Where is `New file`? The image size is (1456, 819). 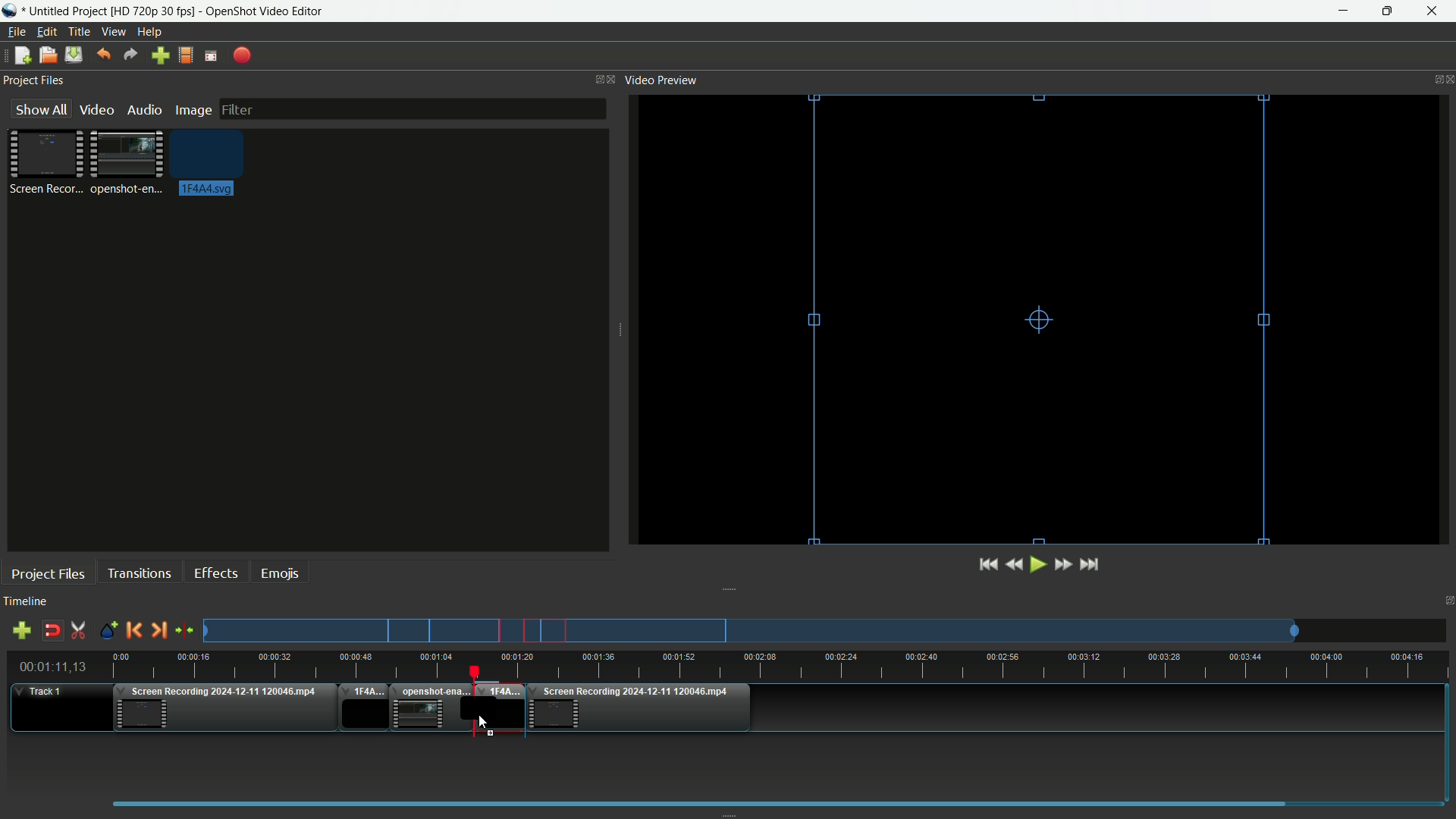
New file is located at coordinates (19, 57).